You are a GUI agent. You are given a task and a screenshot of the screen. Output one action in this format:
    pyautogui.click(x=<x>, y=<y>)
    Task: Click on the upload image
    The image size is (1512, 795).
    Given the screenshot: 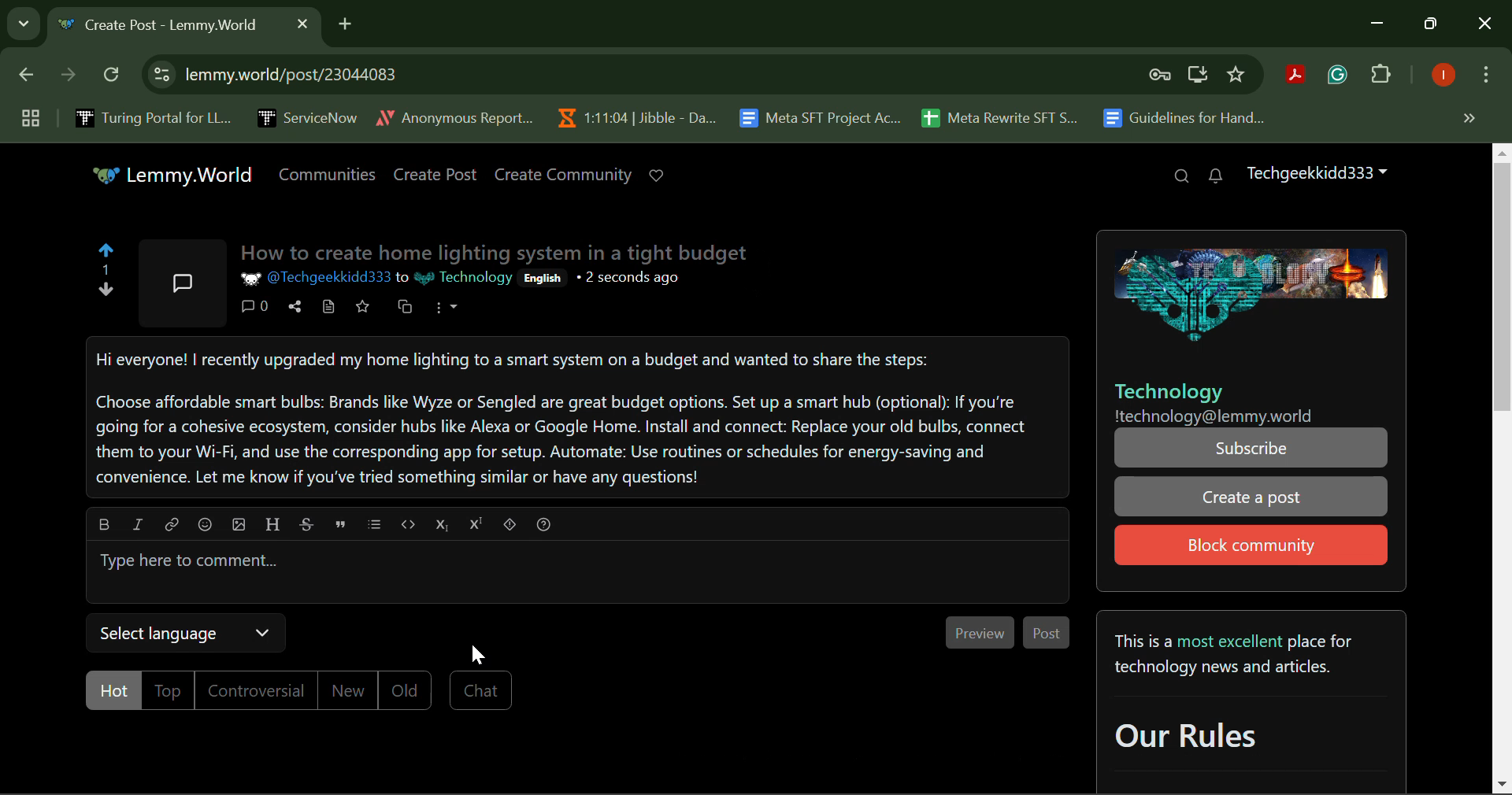 What is the action you would take?
    pyautogui.click(x=238, y=525)
    